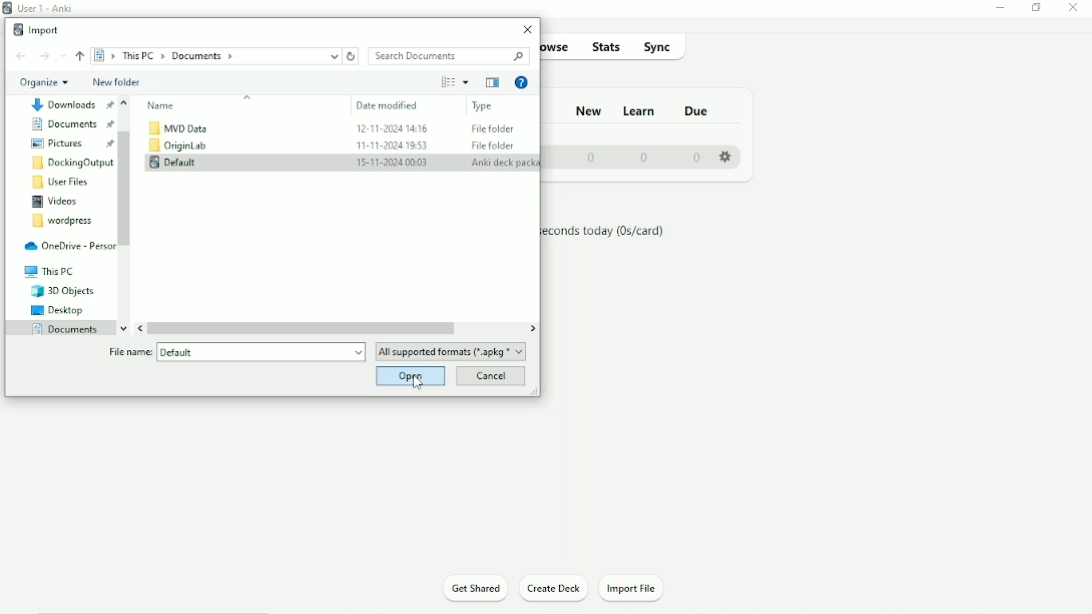  I want to click on OneDrive - Personal, so click(68, 246).